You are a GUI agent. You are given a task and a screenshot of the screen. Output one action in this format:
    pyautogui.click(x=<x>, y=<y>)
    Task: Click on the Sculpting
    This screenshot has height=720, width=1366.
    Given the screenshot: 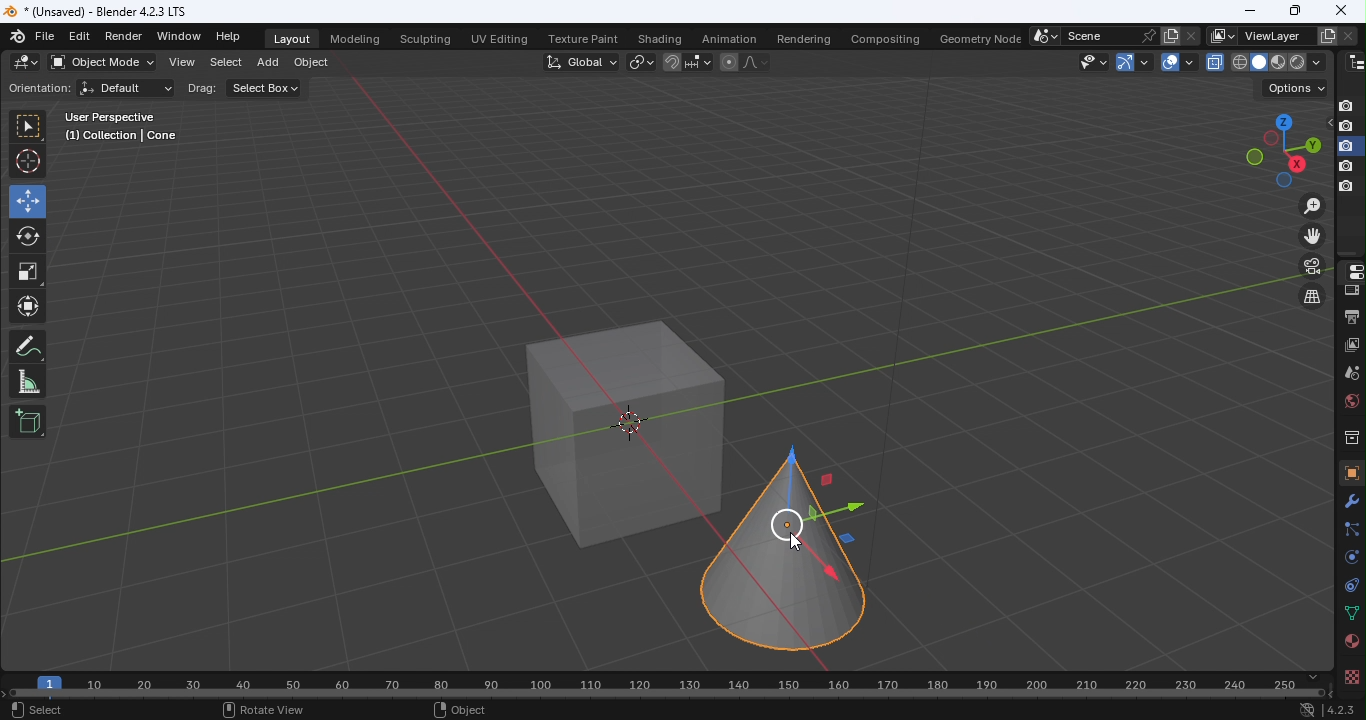 What is the action you would take?
    pyautogui.click(x=425, y=40)
    